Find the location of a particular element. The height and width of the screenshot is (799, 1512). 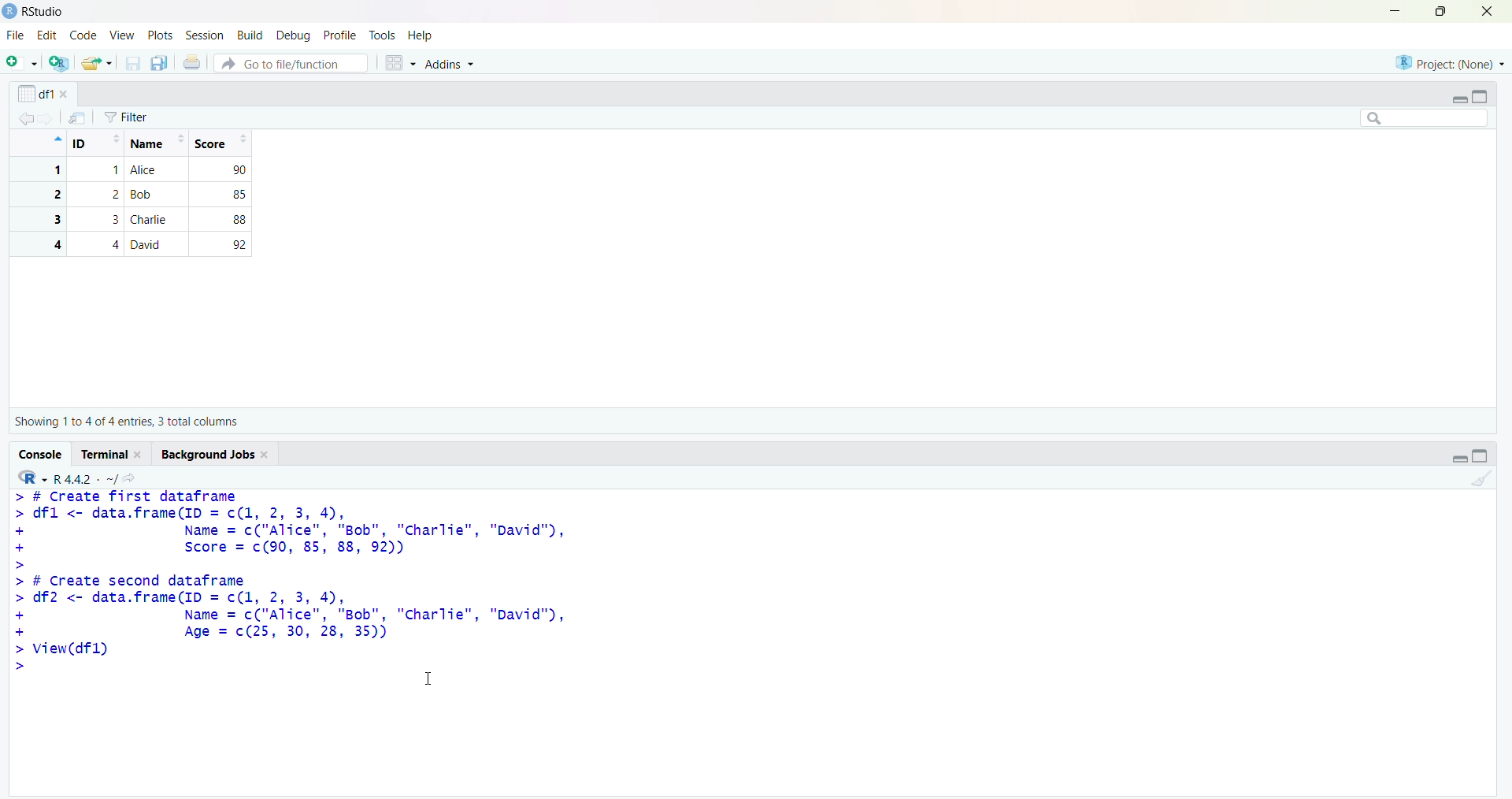

Console is located at coordinates (42, 455).